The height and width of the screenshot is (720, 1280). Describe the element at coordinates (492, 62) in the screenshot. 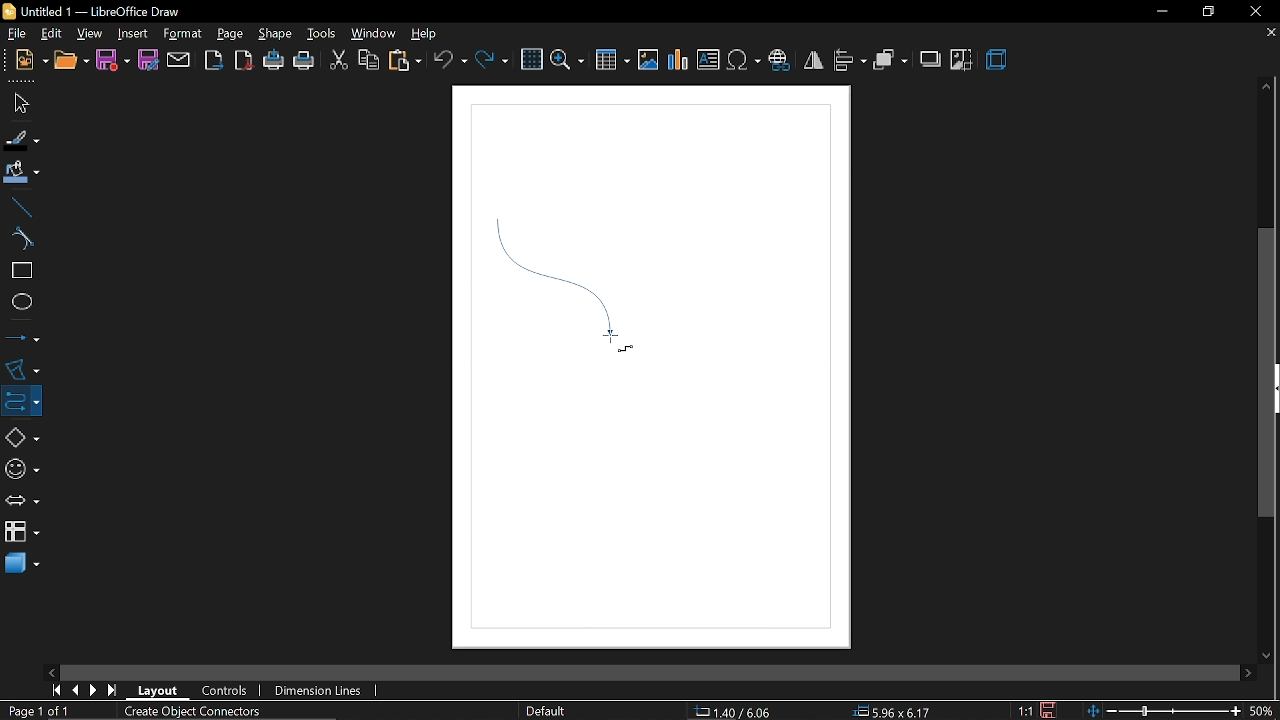

I see `redo` at that location.